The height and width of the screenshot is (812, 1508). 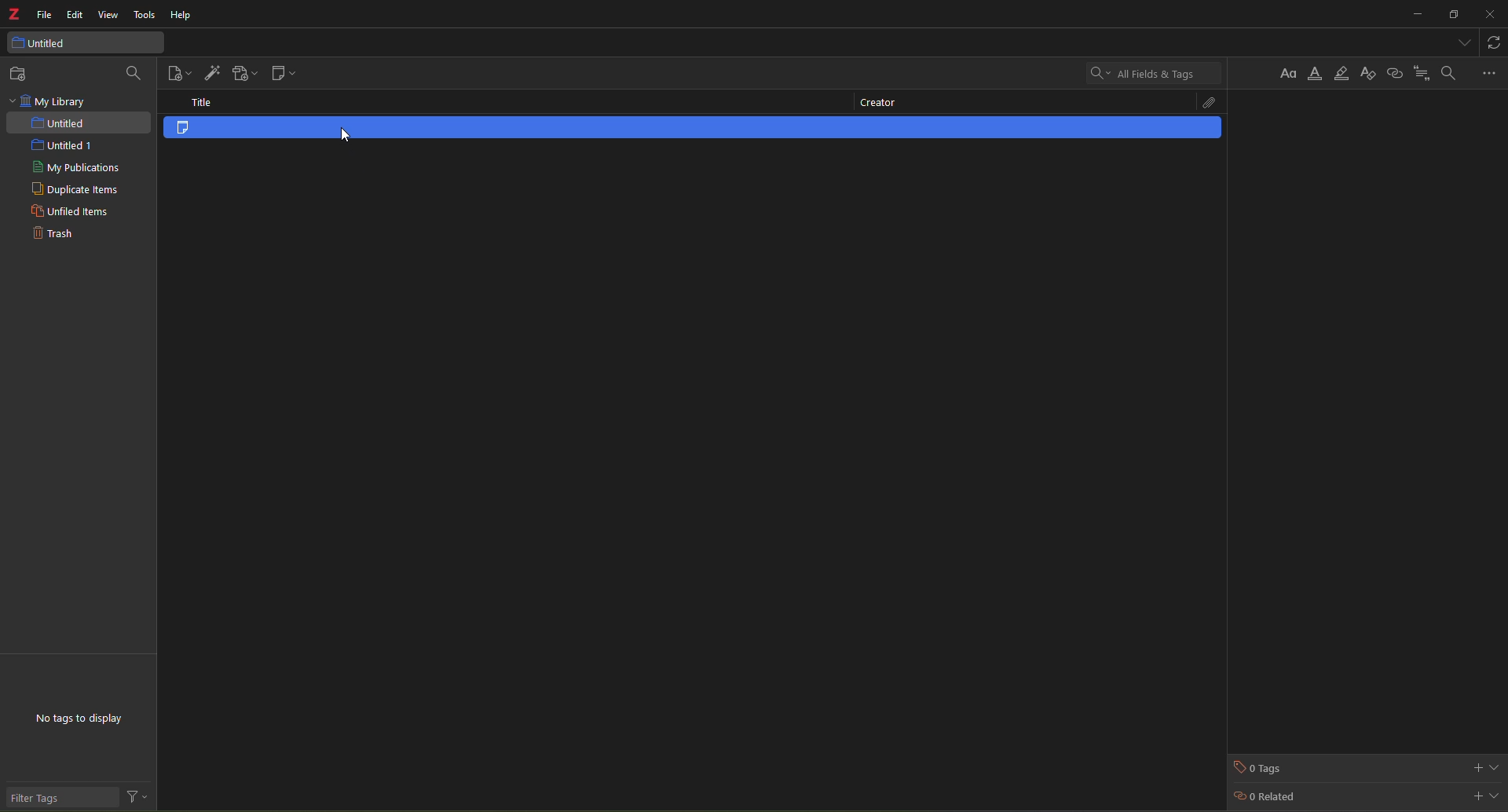 I want to click on sync, so click(x=1496, y=41).